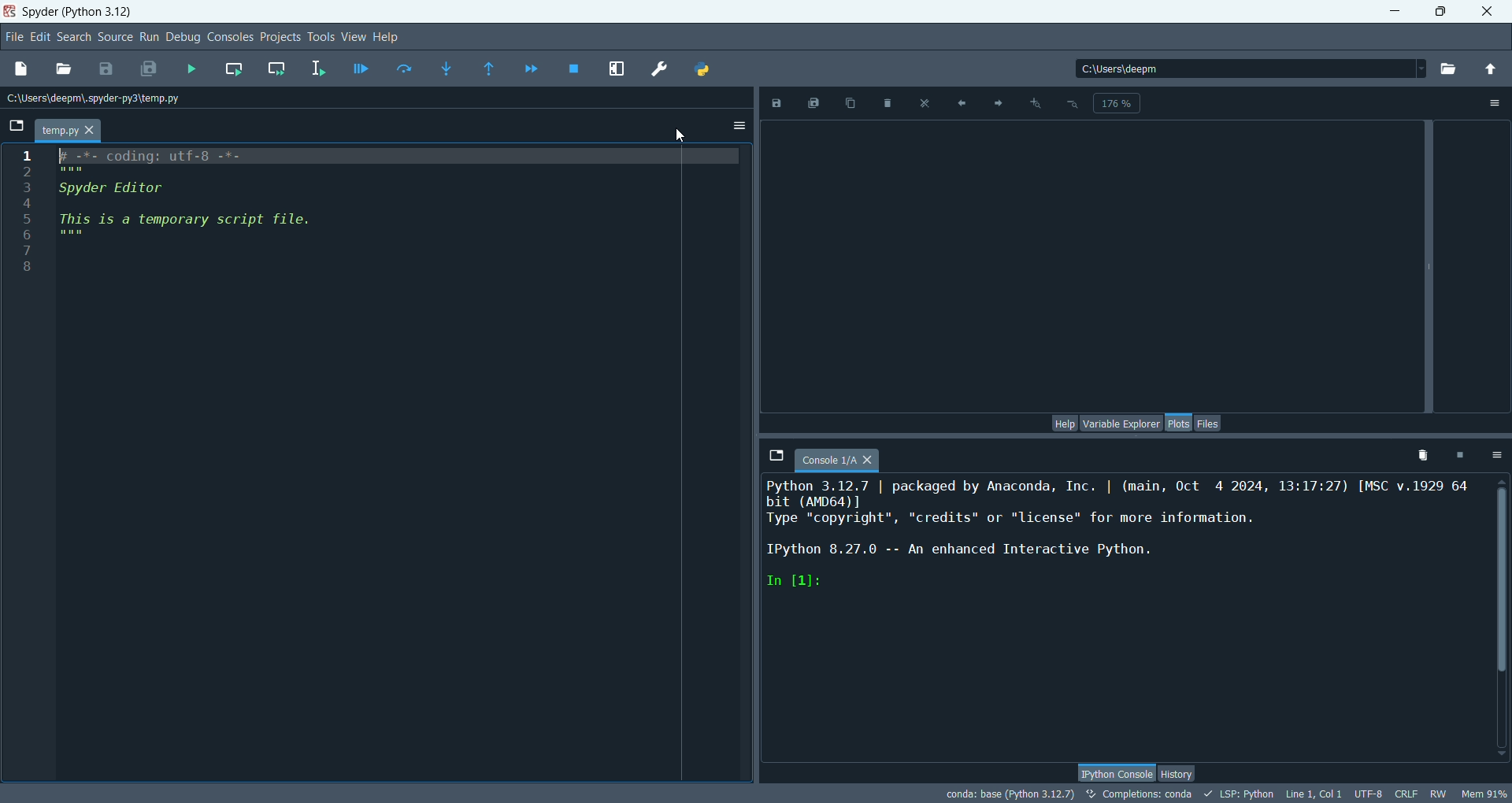 The height and width of the screenshot is (803, 1512). I want to click on close, so click(1486, 16).